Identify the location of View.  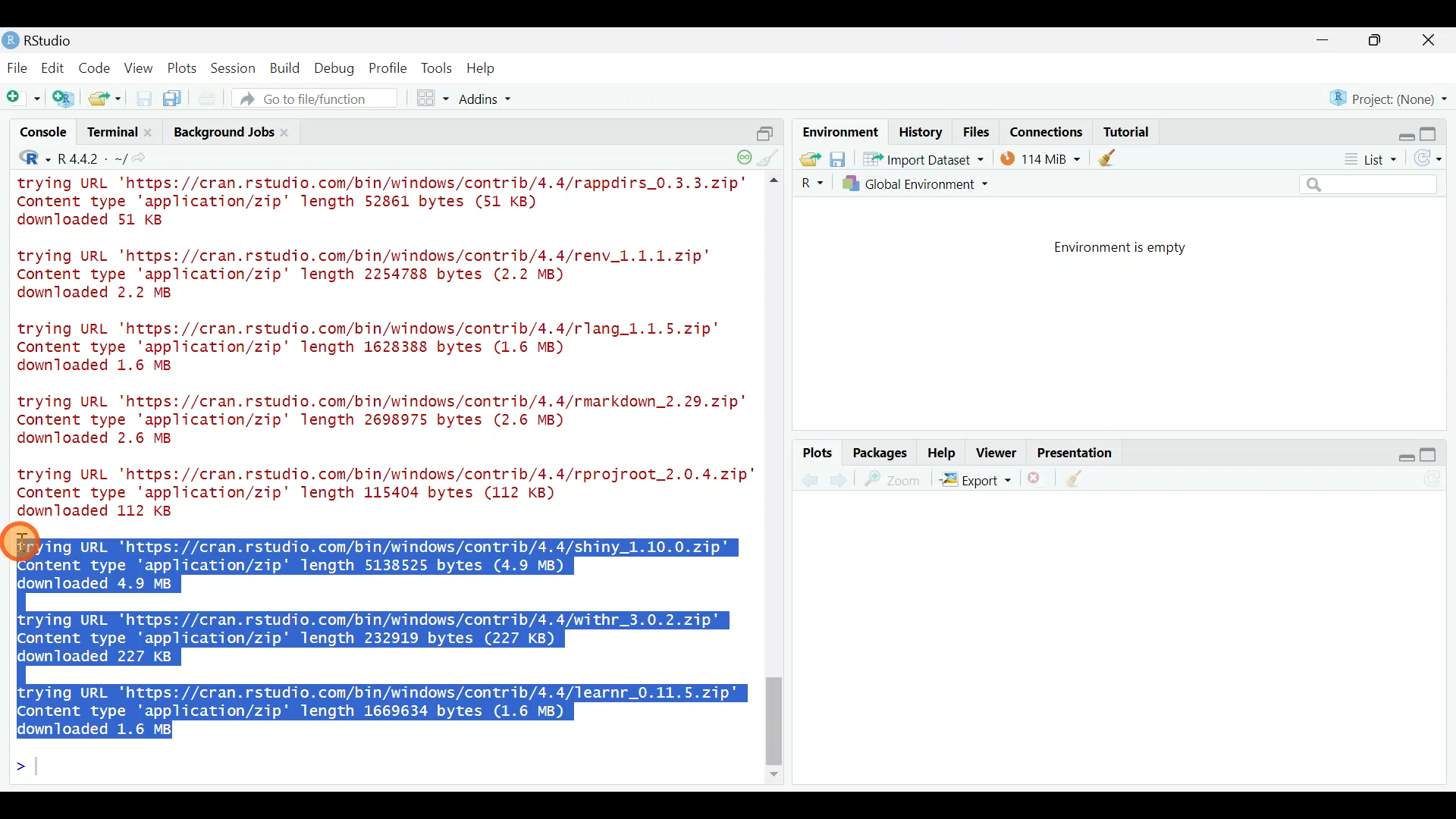
(140, 67).